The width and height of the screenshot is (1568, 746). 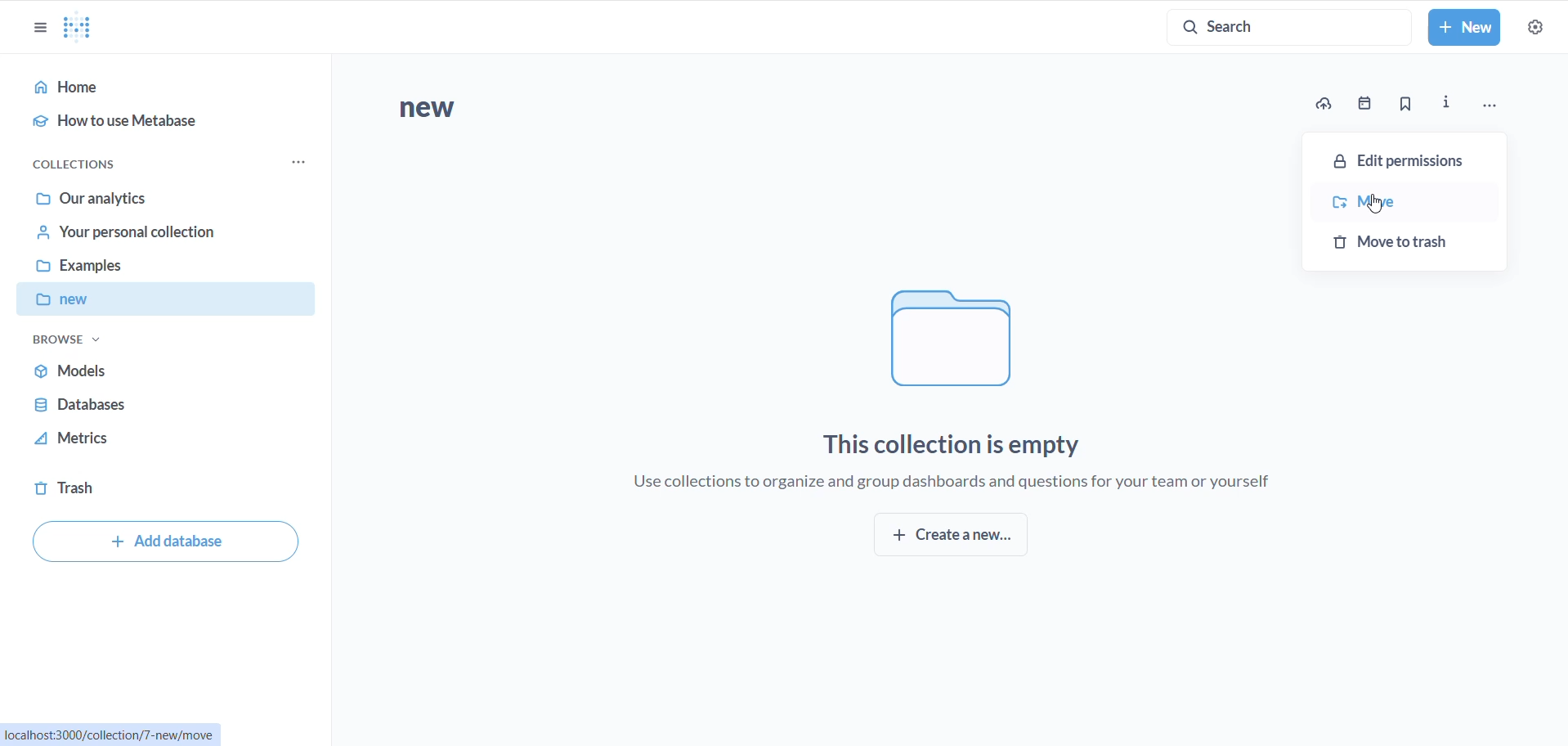 I want to click on our analytics , so click(x=154, y=197).